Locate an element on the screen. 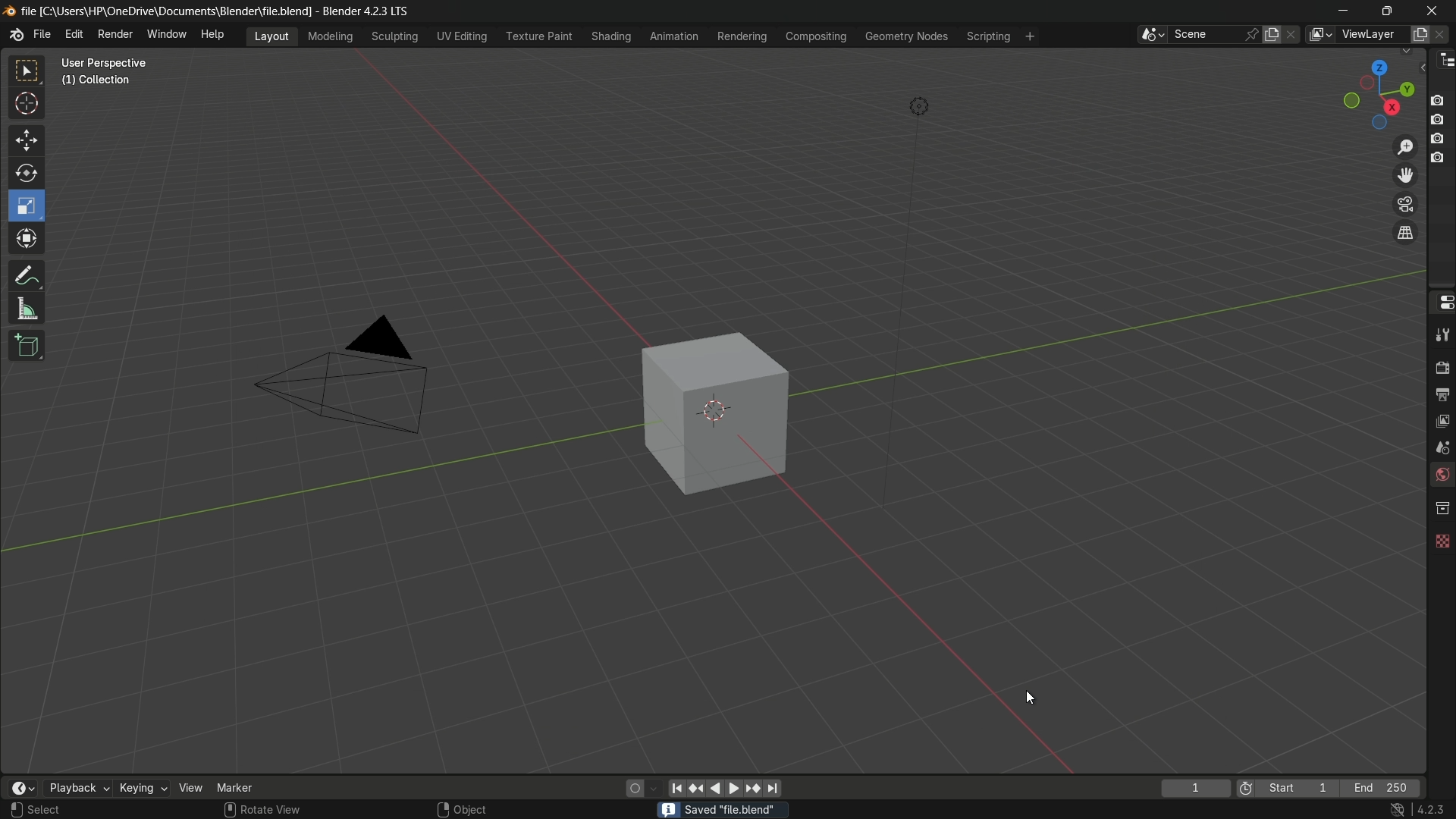  new scene is located at coordinates (1275, 34).